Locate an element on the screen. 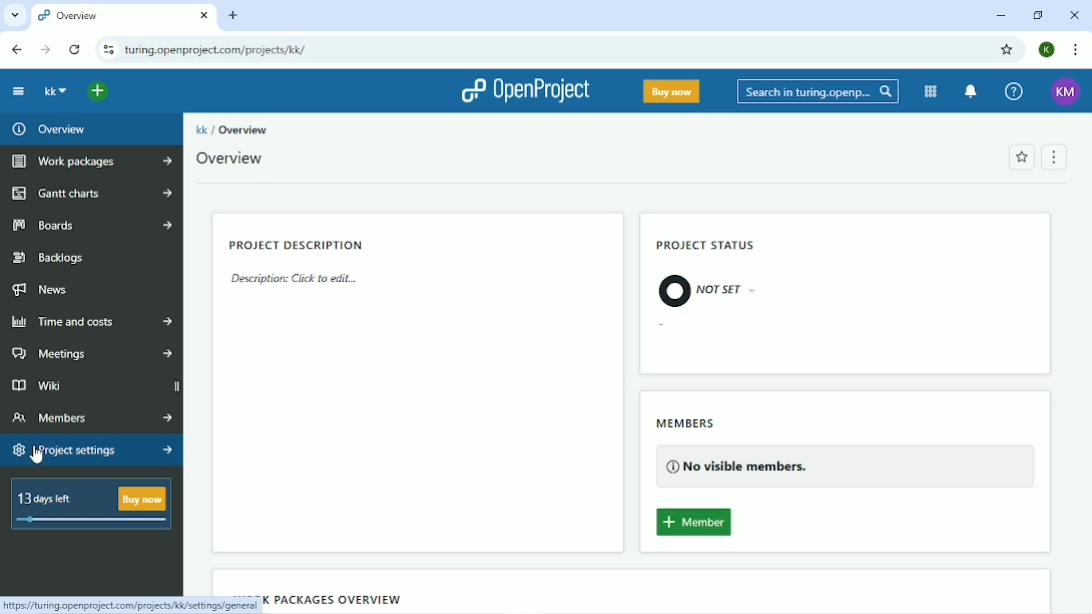 The width and height of the screenshot is (1092, 614). Boards is located at coordinates (92, 227).